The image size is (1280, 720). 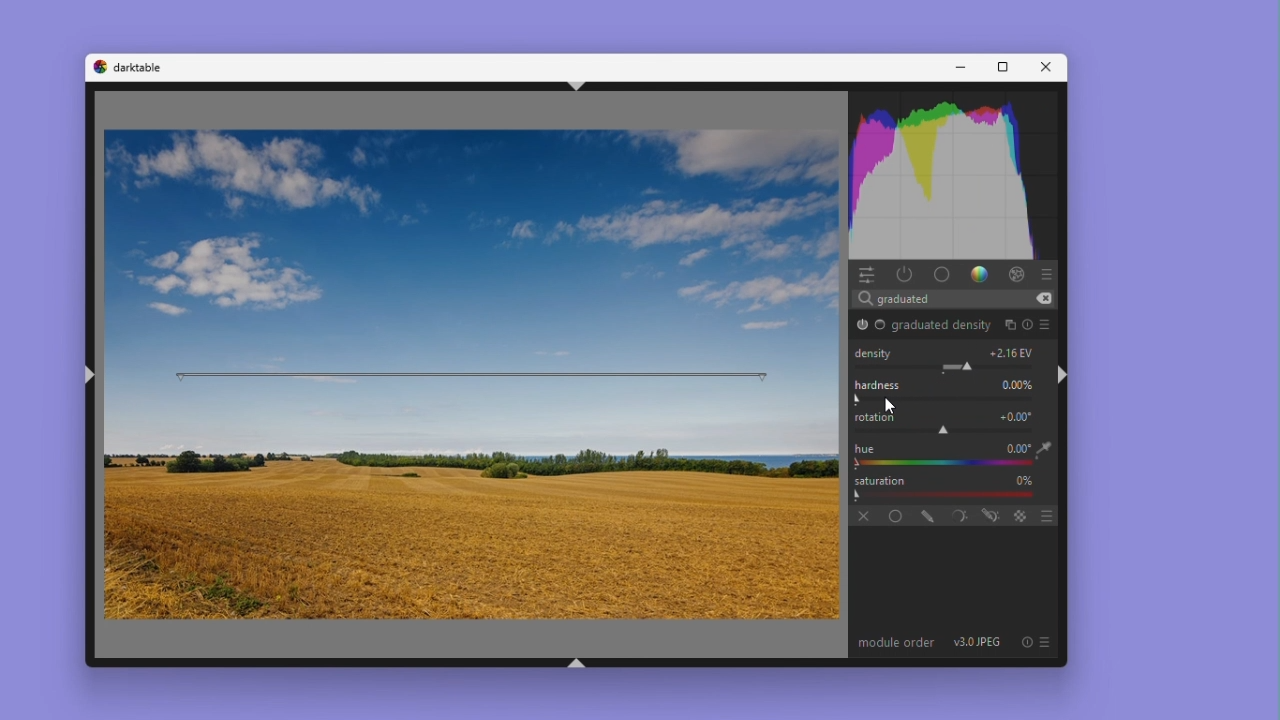 I want to click on +1.00 EV, so click(x=1013, y=352).